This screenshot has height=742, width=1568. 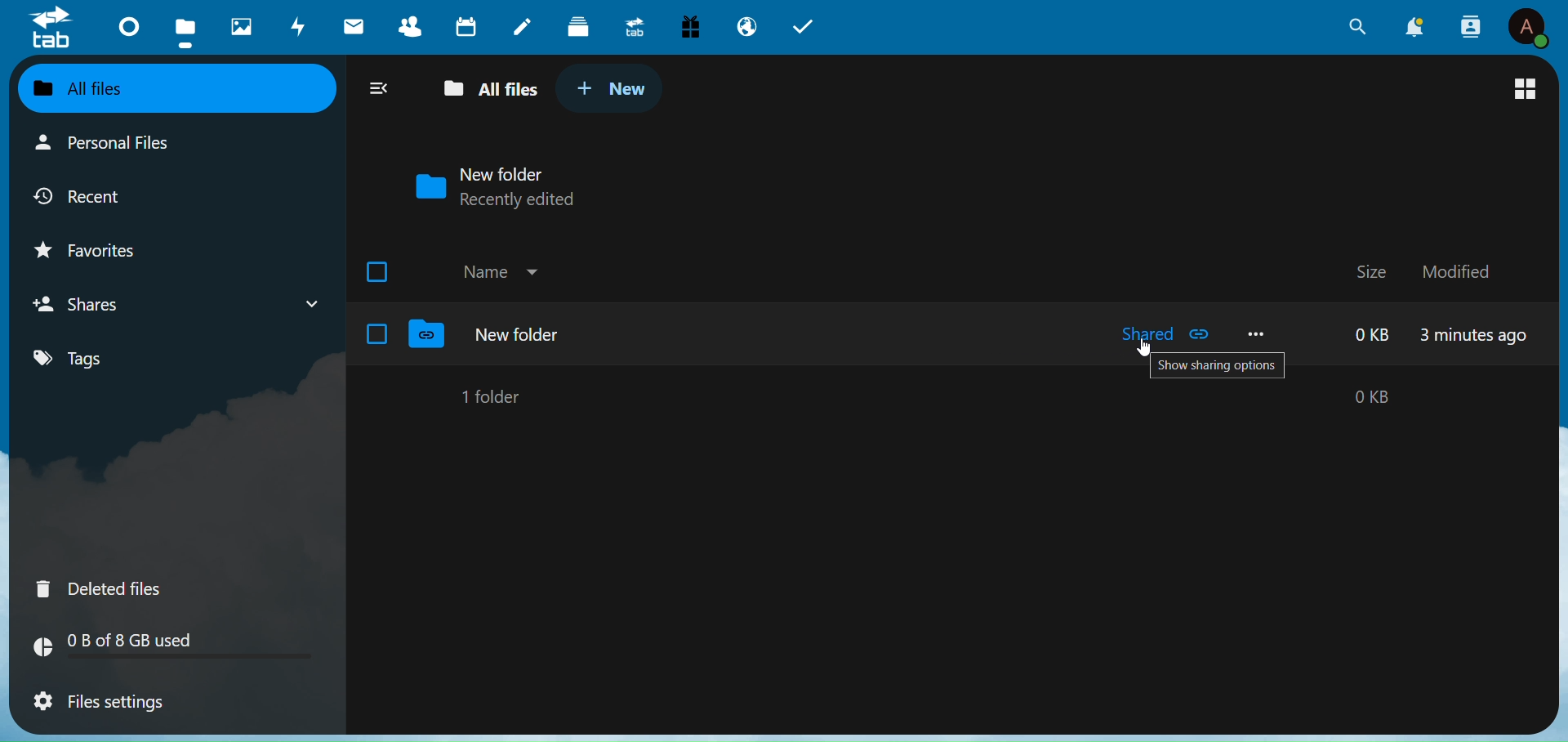 What do you see at coordinates (1202, 334) in the screenshot?
I see `Shared Link` at bounding box center [1202, 334].